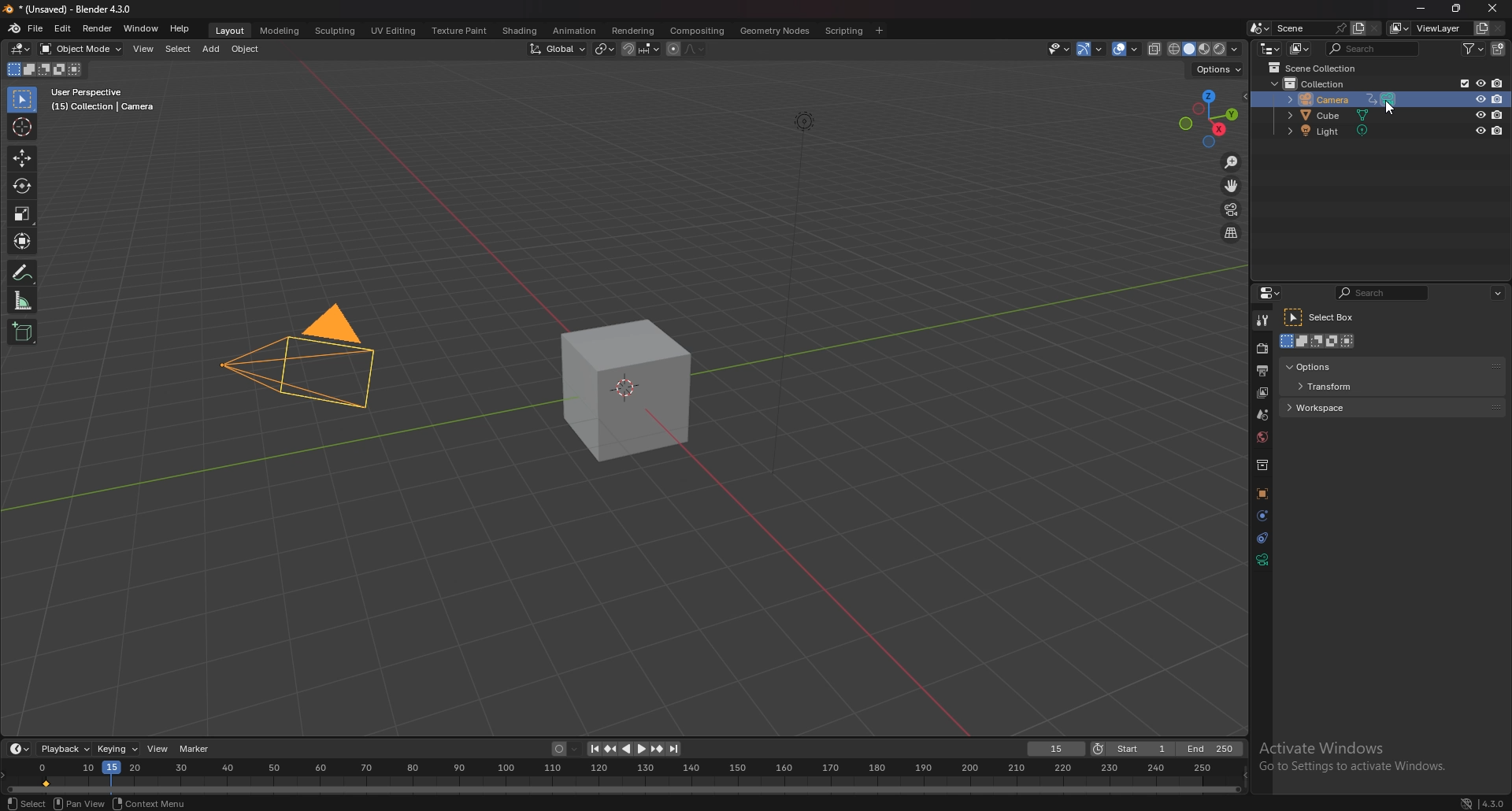 Image resolution: width=1512 pixels, height=811 pixels. What do you see at coordinates (280, 31) in the screenshot?
I see `modeling` at bounding box center [280, 31].